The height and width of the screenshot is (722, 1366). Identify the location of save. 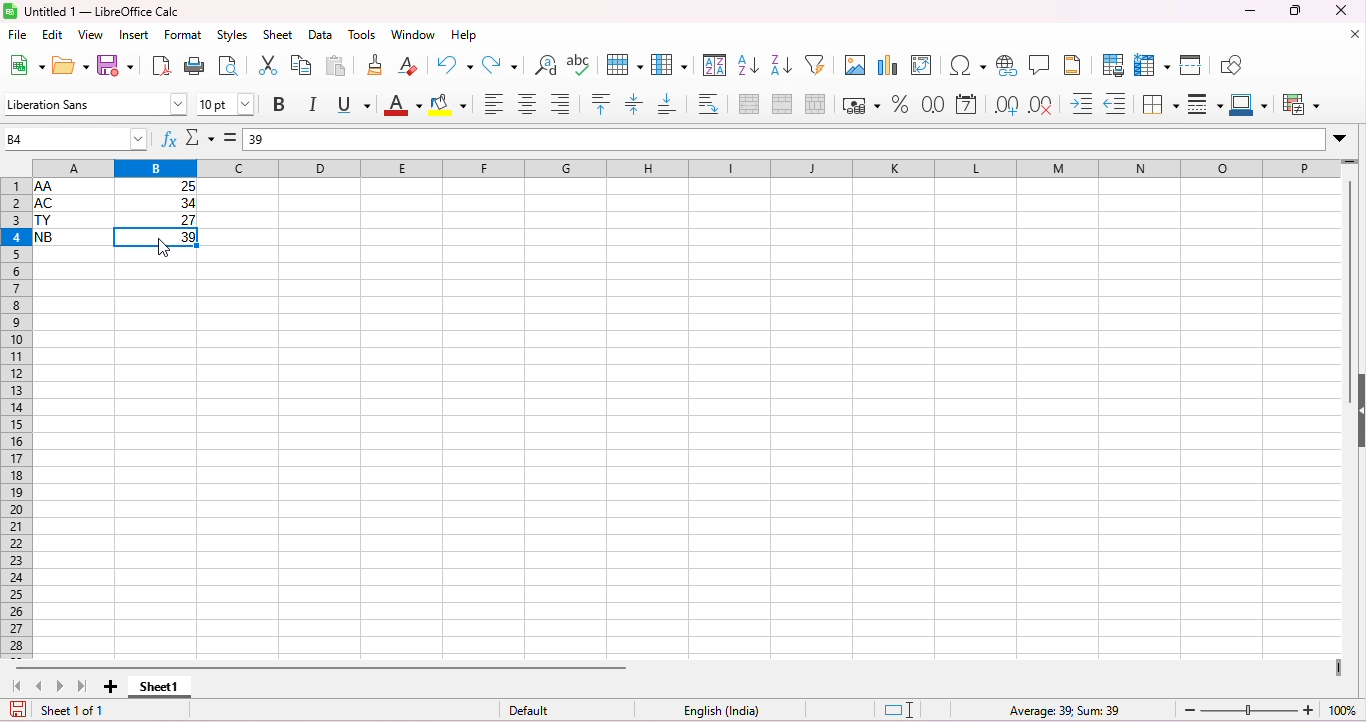
(116, 64).